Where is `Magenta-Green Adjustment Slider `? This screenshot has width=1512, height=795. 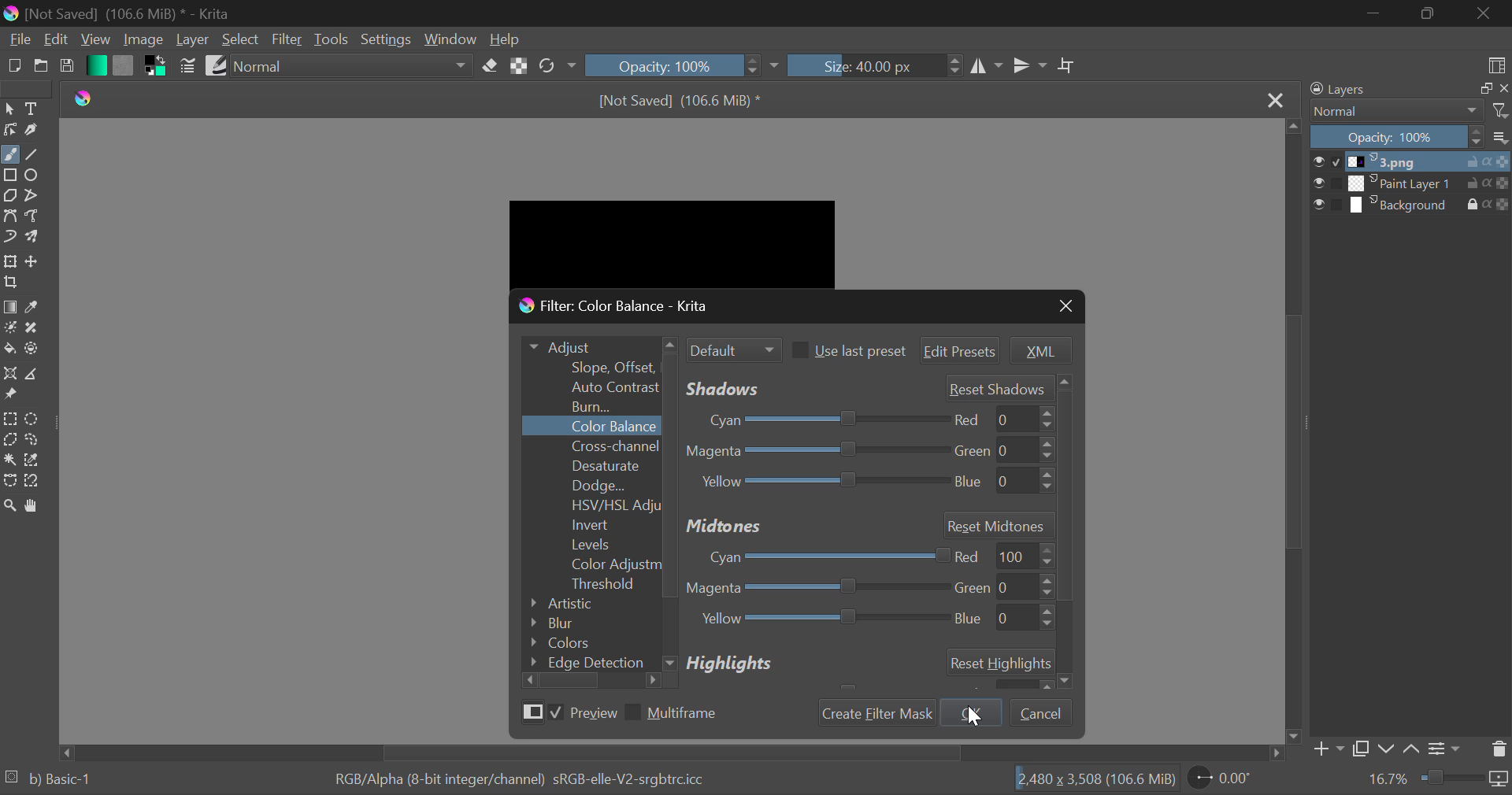
Magenta-Green Adjustment Slider  is located at coordinates (814, 588).